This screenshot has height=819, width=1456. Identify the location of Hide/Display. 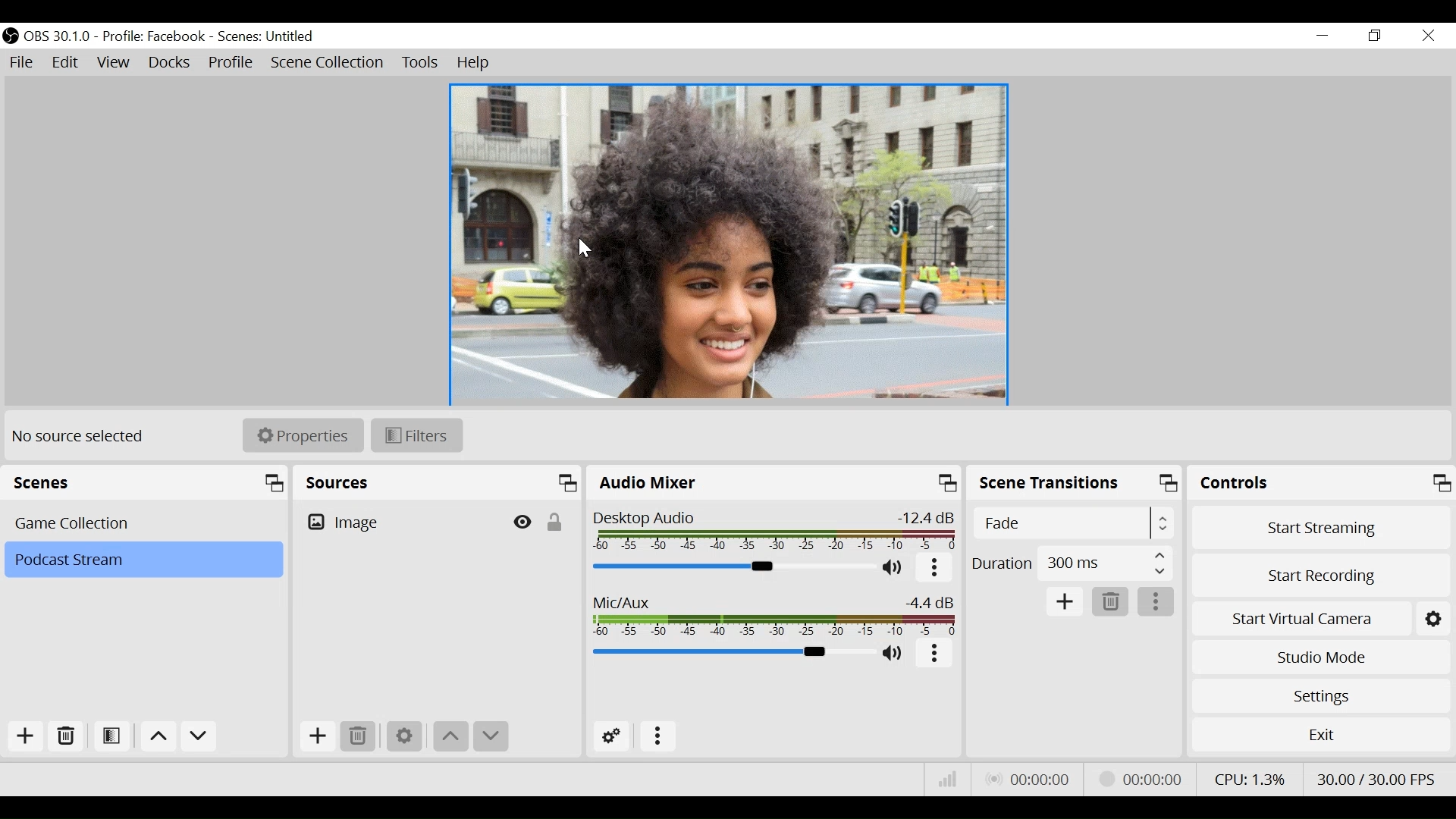
(520, 523).